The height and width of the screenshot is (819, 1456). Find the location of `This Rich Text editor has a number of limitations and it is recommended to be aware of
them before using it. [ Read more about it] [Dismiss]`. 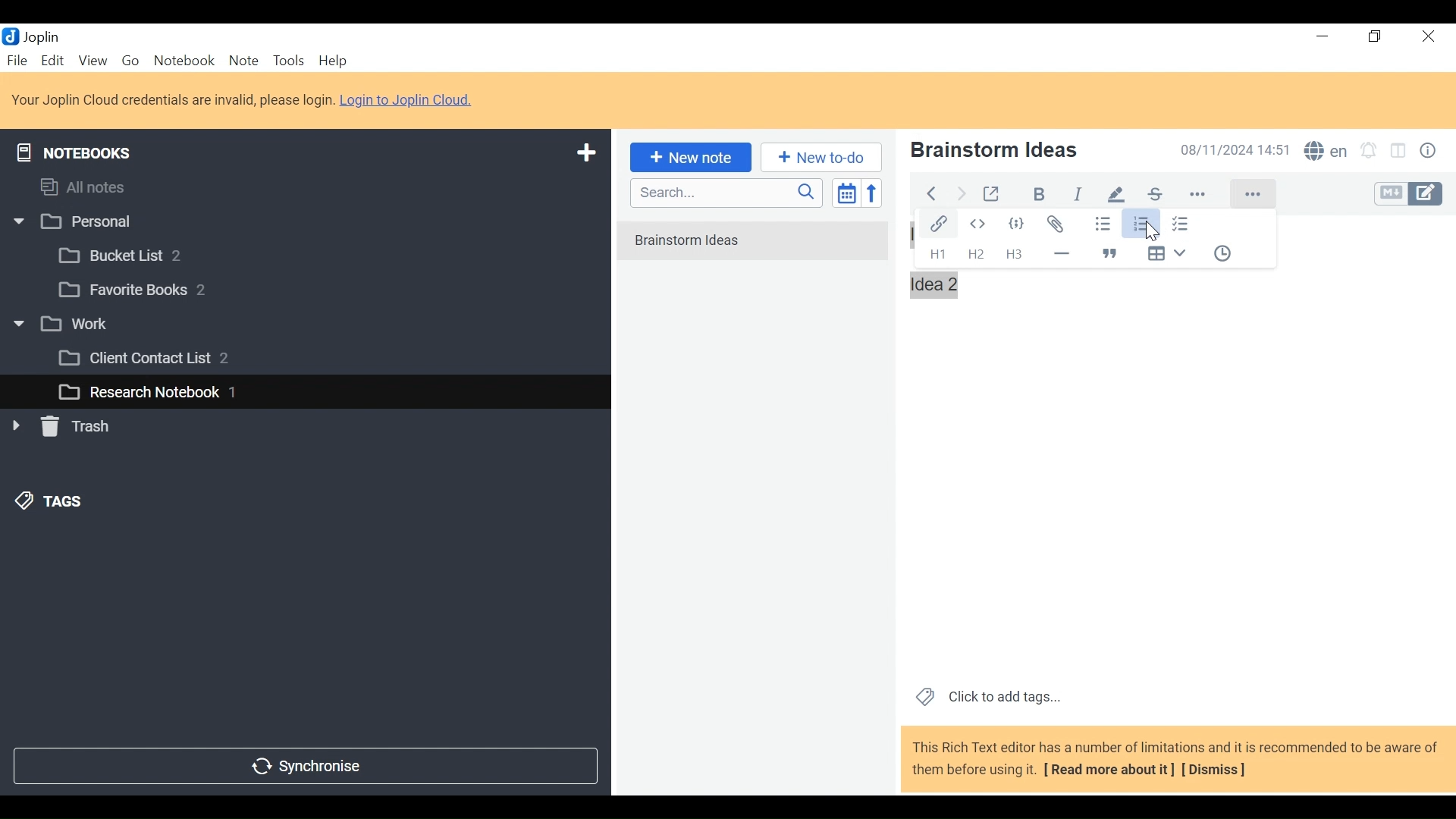

This Rich Text editor has a number of limitations and it is recommended to be aware of
them before using it. [ Read more about it] [Dismiss] is located at coordinates (1175, 758).